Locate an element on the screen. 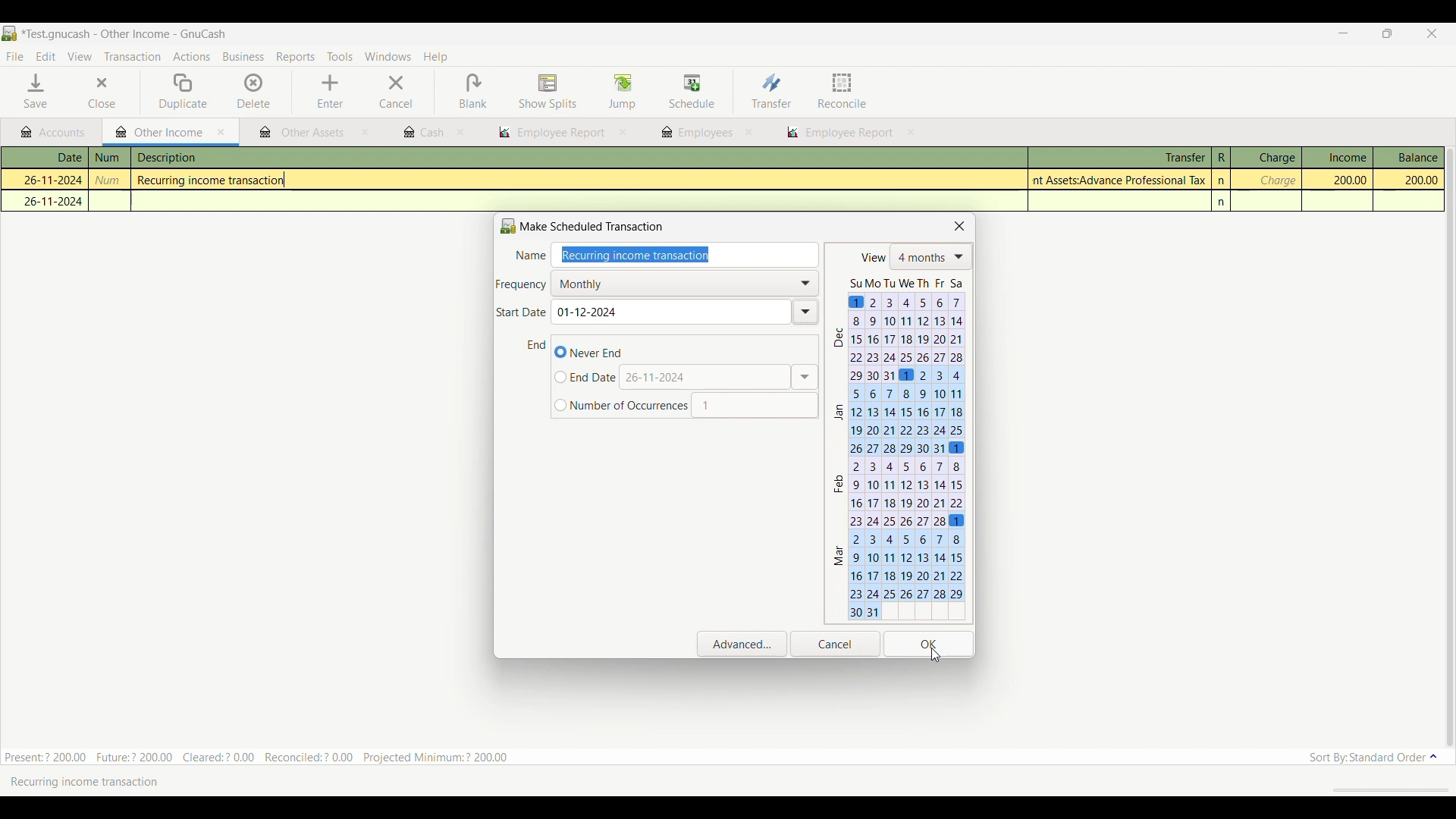 The height and width of the screenshot is (819, 1456). Delete is located at coordinates (254, 90).